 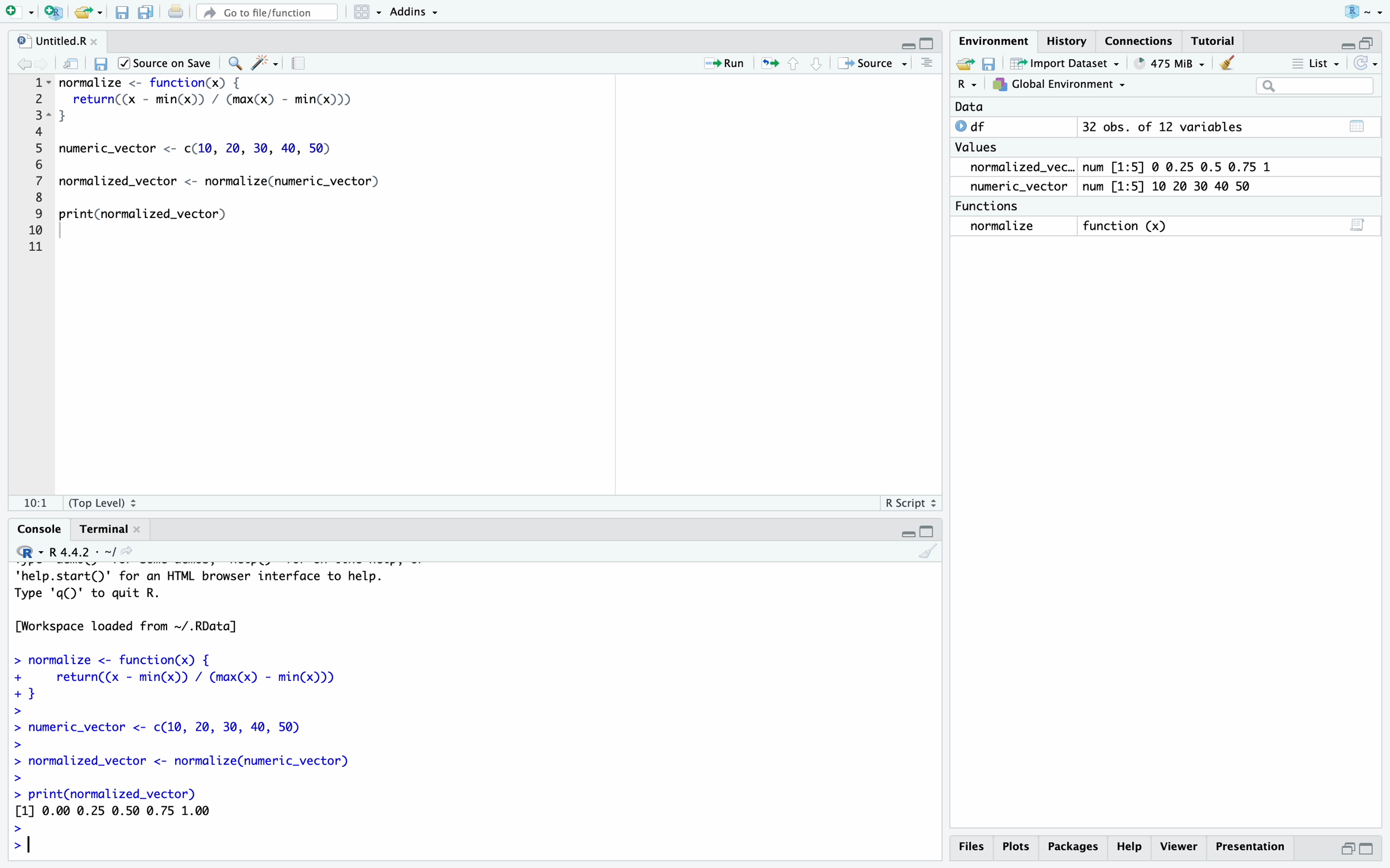 What do you see at coordinates (25, 62) in the screenshot?
I see `Go back to the previous source location (Ctrl + F9)` at bounding box center [25, 62].